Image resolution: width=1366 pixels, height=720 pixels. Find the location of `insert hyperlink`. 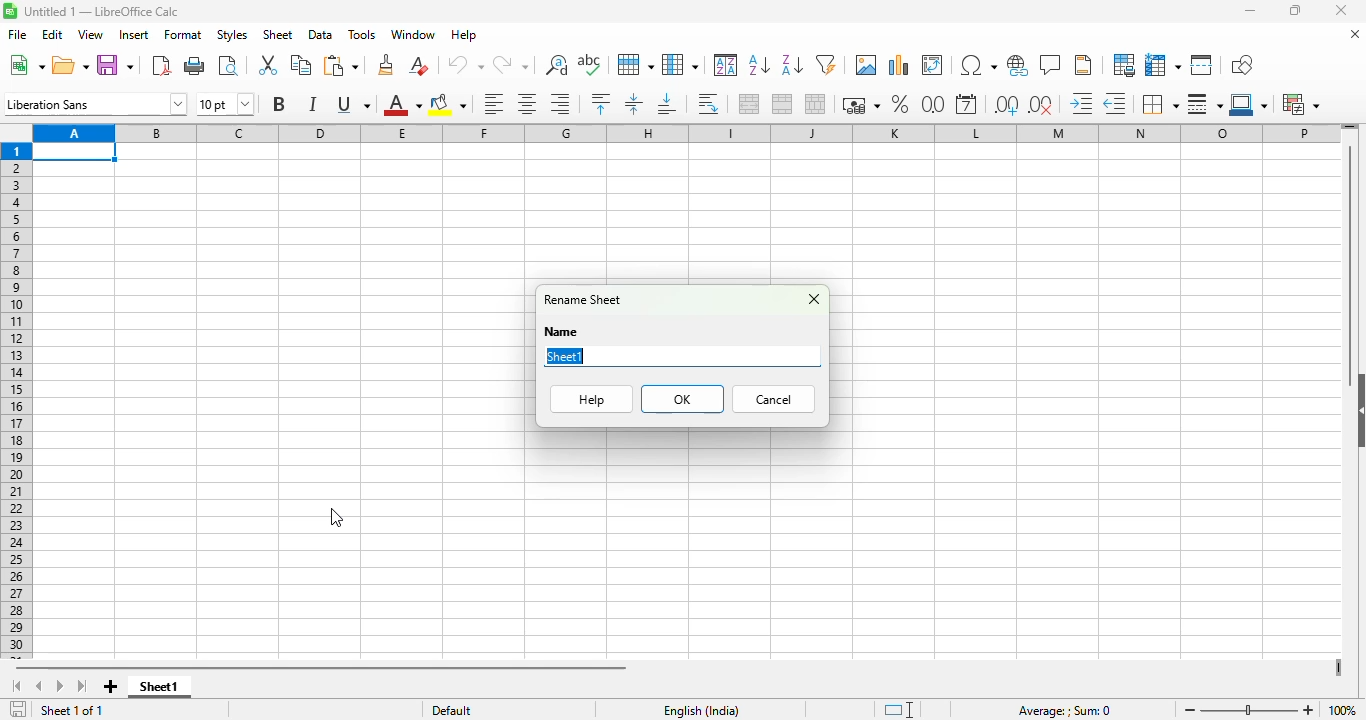

insert hyperlink is located at coordinates (1018, 66).